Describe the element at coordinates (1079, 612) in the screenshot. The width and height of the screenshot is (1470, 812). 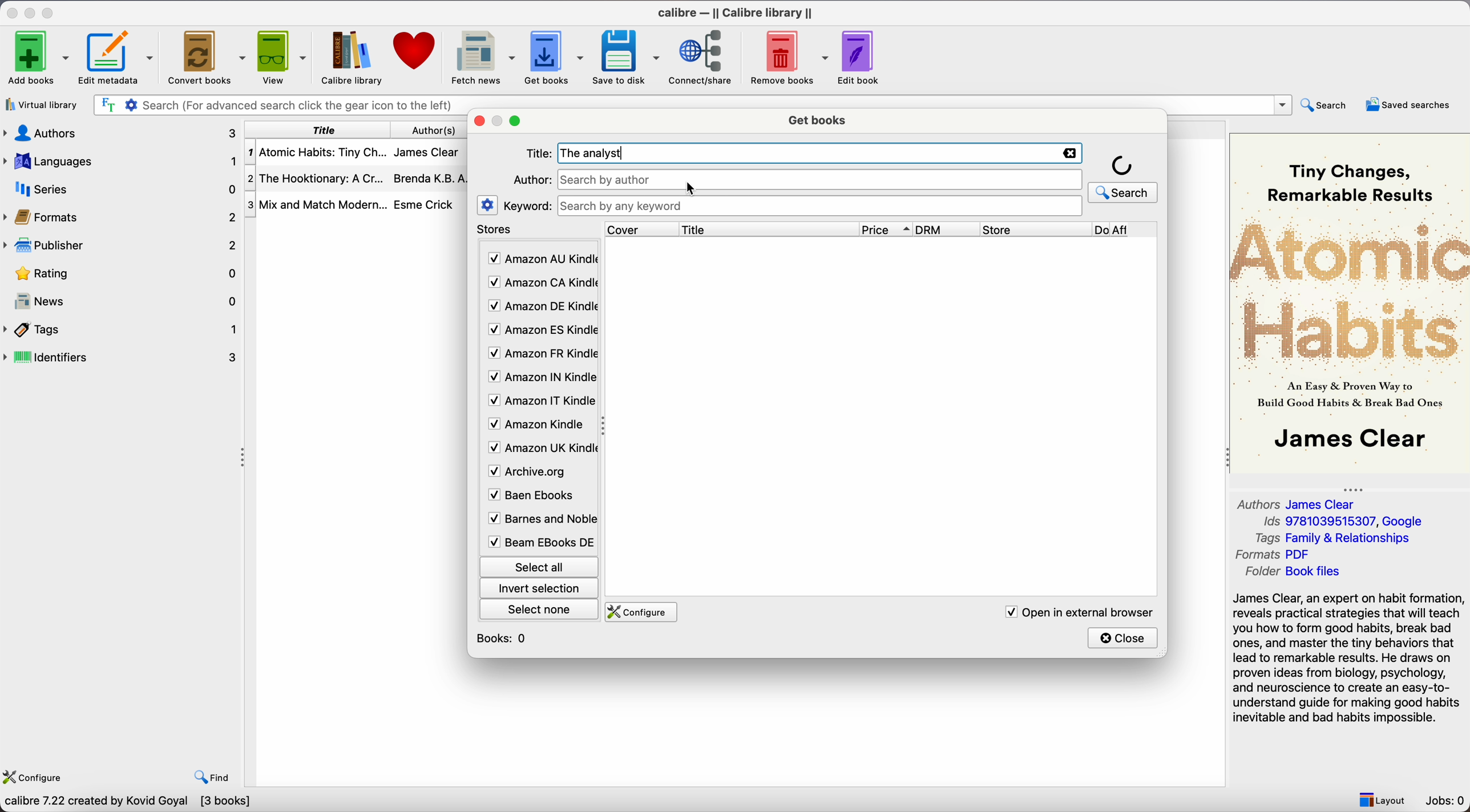
I see `open in external browser` at that location.